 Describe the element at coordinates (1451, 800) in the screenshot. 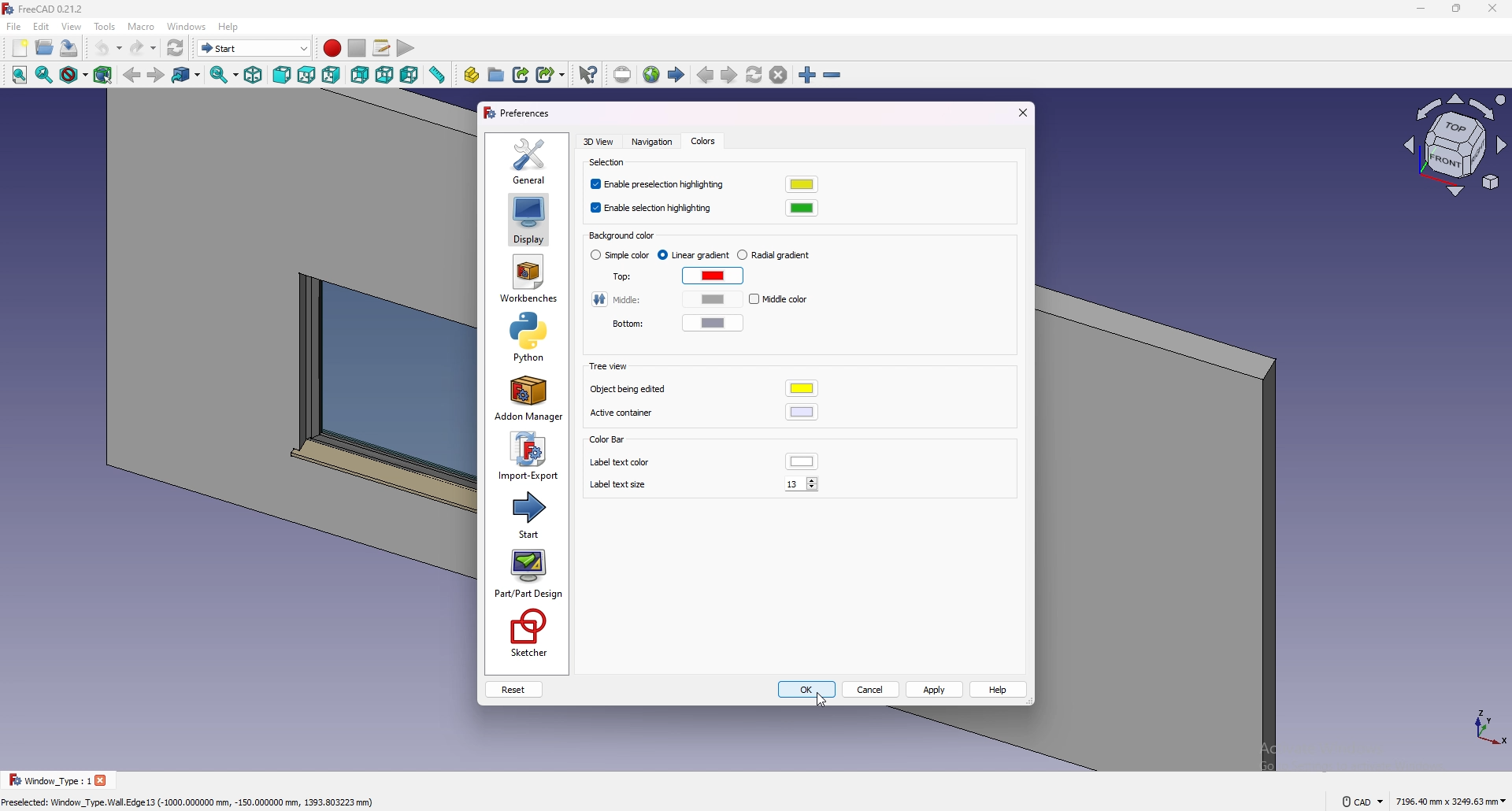

I see `7196.40 mm x 3243.63 mm ~~` at that location.